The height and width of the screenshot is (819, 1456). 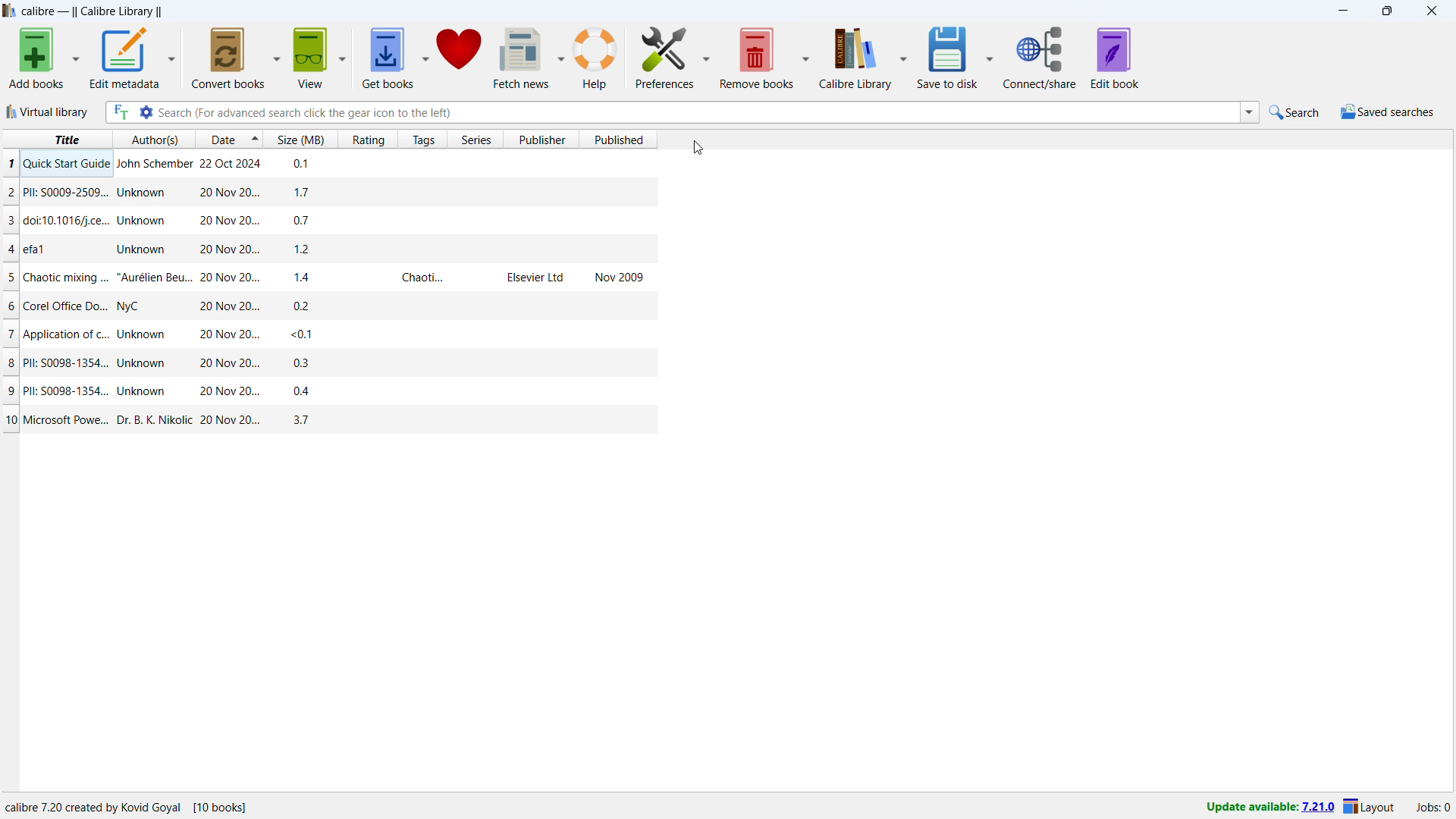 I want to click on PII: 50098-1354... Unknown 20 Nov 20... 04, so click(x=331, y=391).